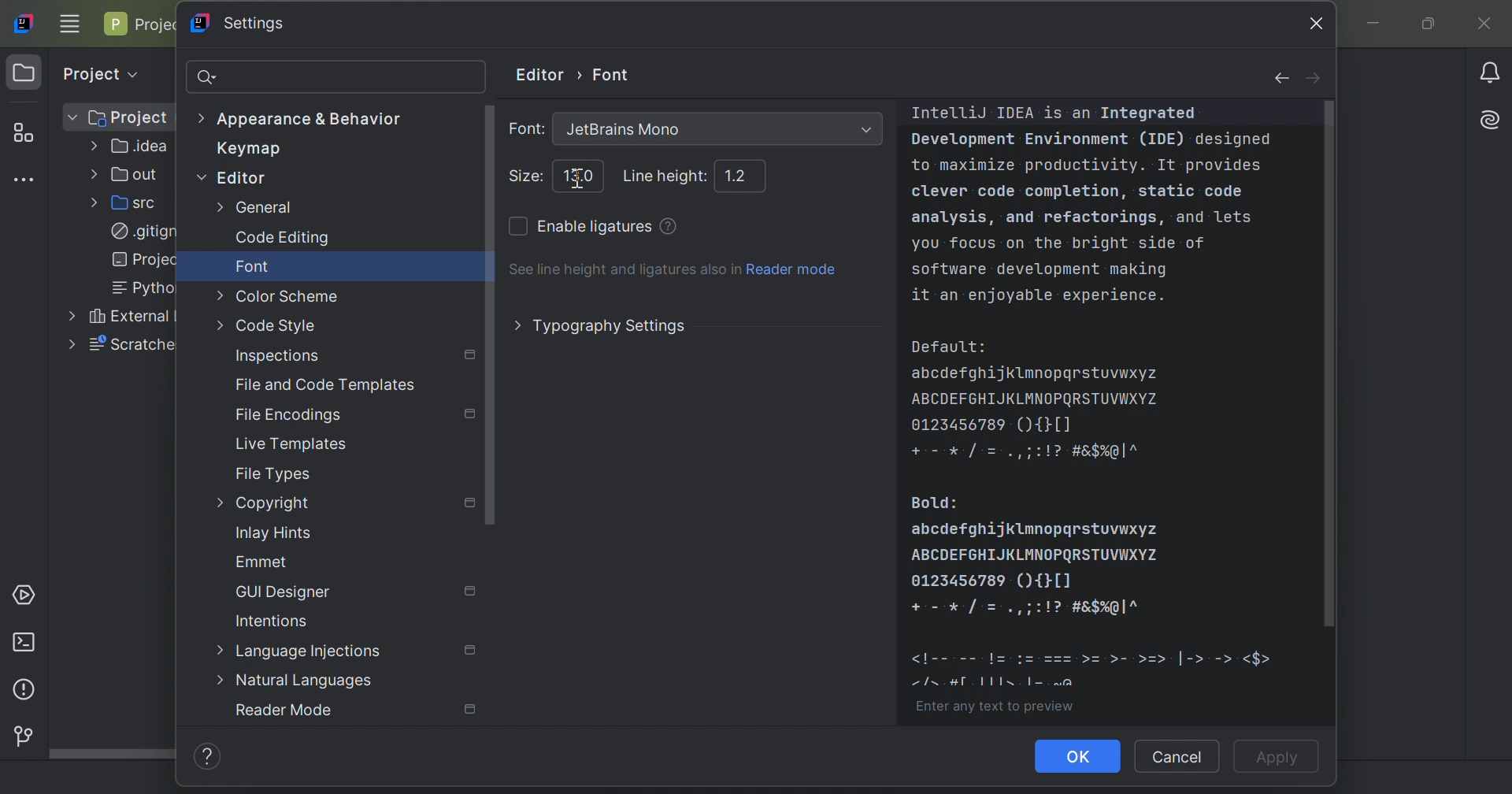 The height and width of the screenshot is (794, 1512). Describe the element at coordinates (1025, 454) in the screenshot. I see `+ - * / = . , ; : ! ? # & $ % @ | ^` at that location.